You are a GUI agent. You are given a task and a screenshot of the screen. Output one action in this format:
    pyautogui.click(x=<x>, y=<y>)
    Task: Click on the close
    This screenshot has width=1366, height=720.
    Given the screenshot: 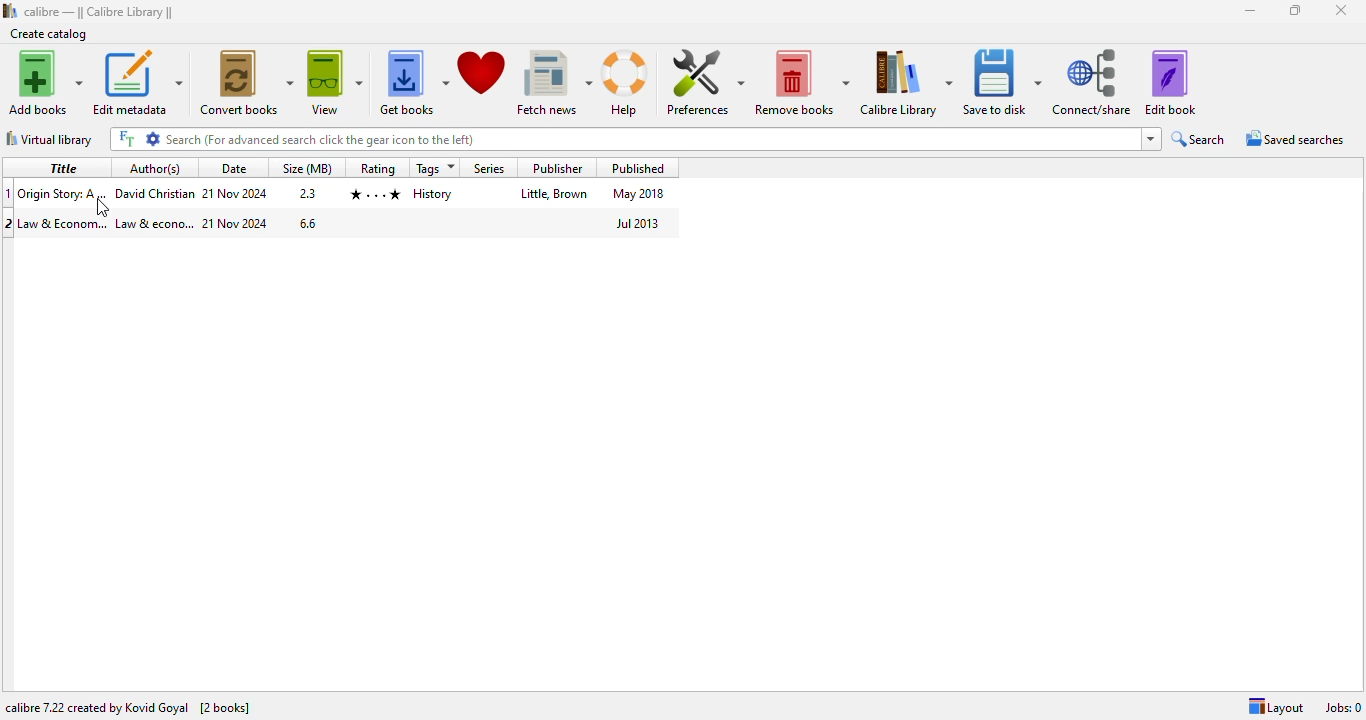 What is the action you would take?
    pyautogui.click(x=1342, y=10)
    